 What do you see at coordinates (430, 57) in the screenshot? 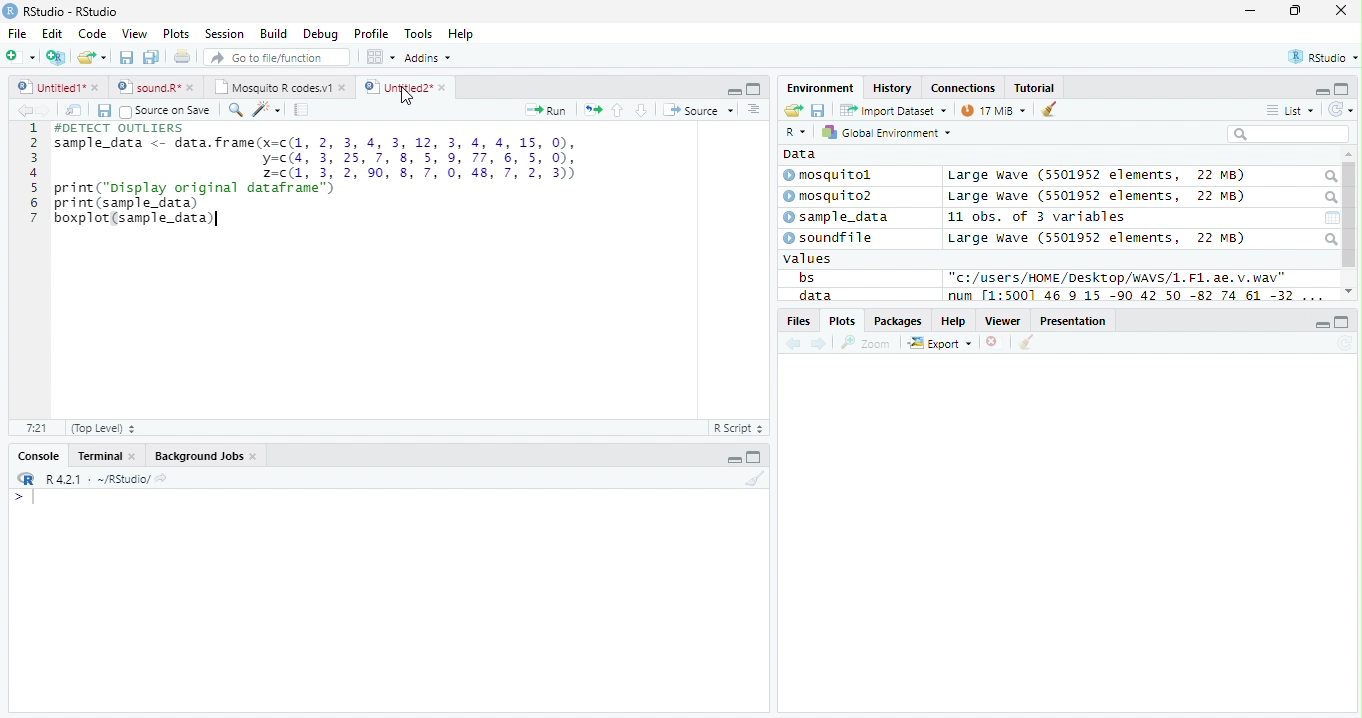
I see `Addins` at bounding box center [430, 57].